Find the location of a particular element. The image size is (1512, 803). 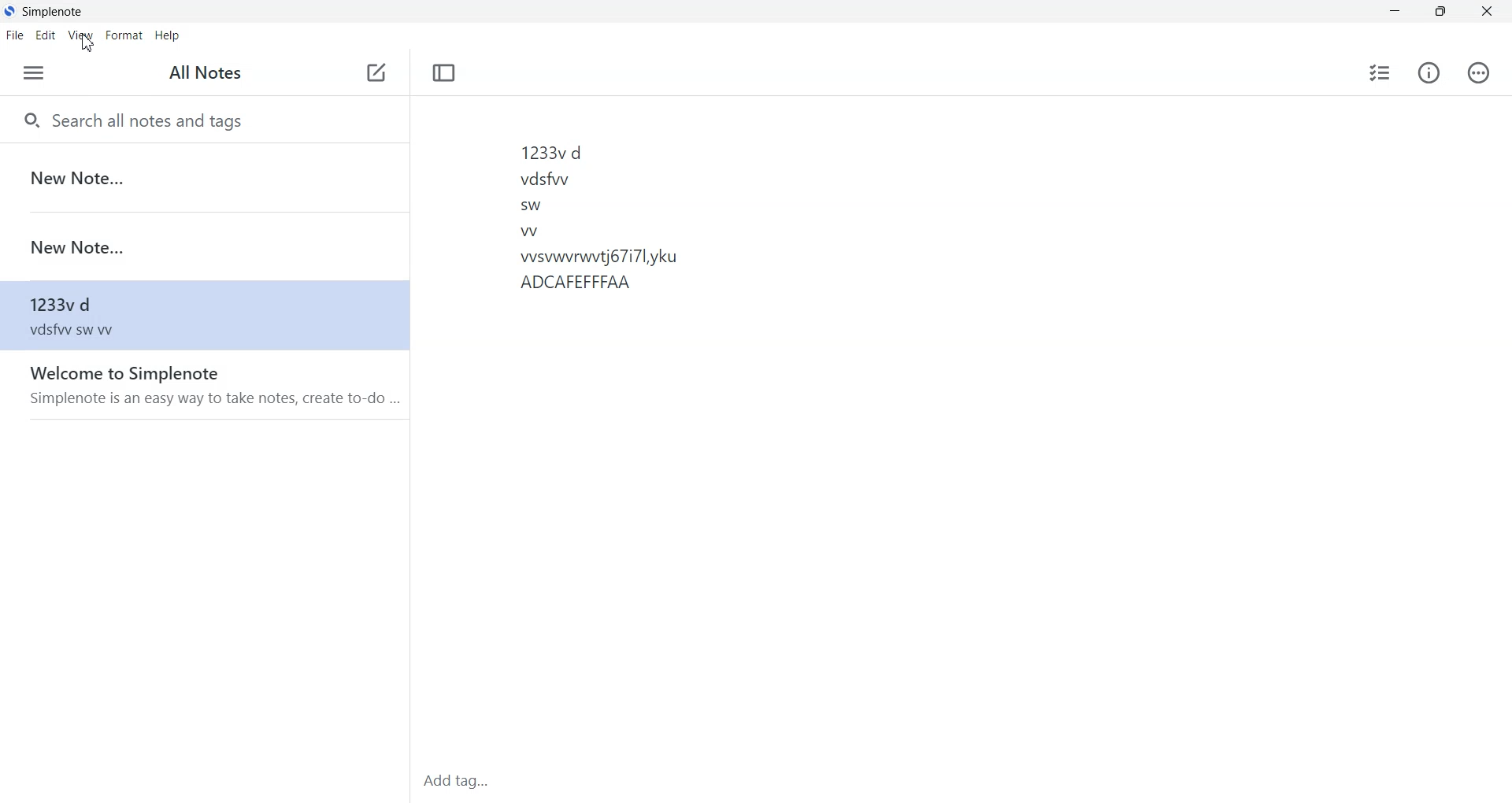

Format is located at coordinates (124, 35).